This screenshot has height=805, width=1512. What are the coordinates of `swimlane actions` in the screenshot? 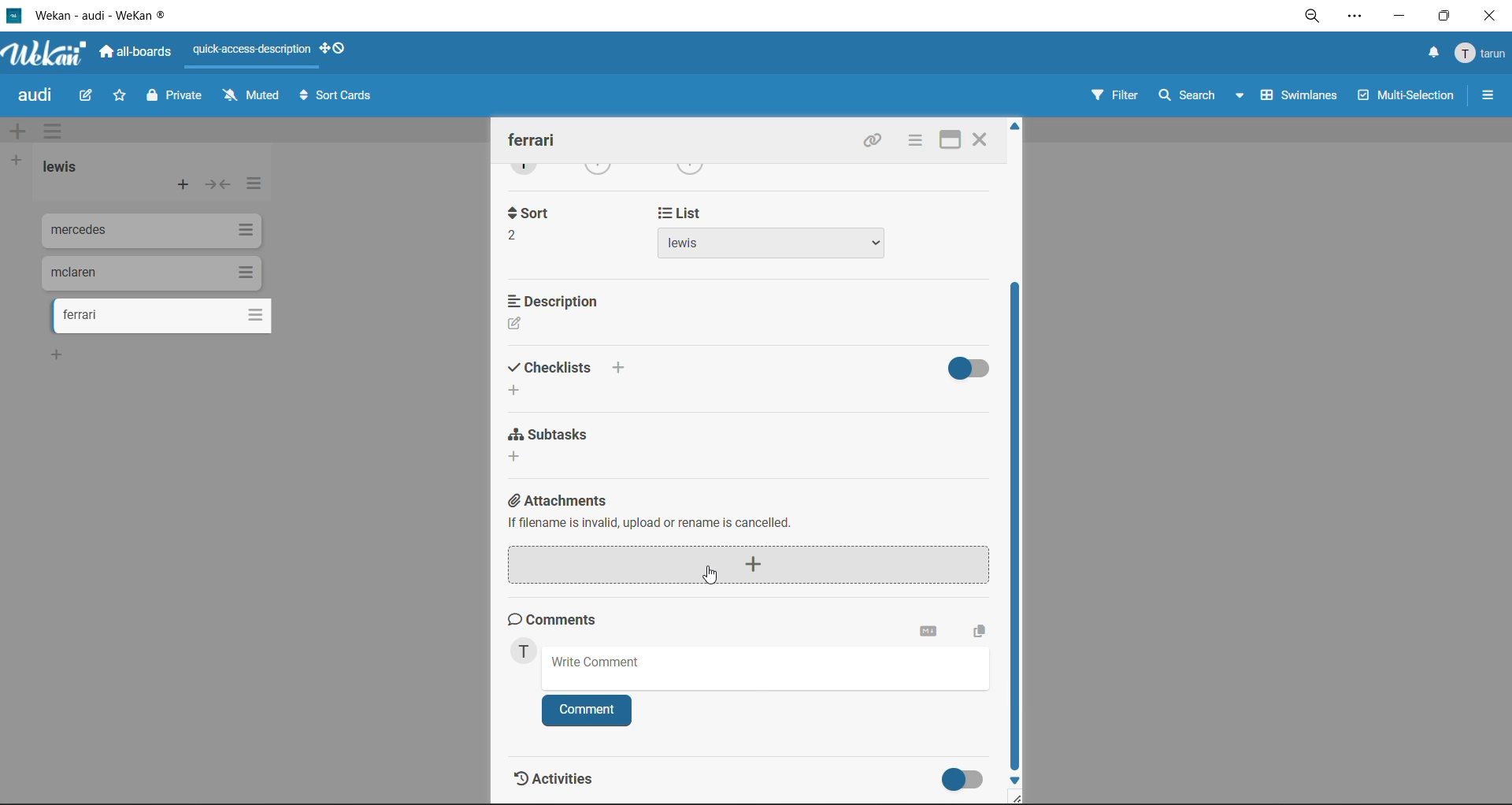 It's located at (50, 129).